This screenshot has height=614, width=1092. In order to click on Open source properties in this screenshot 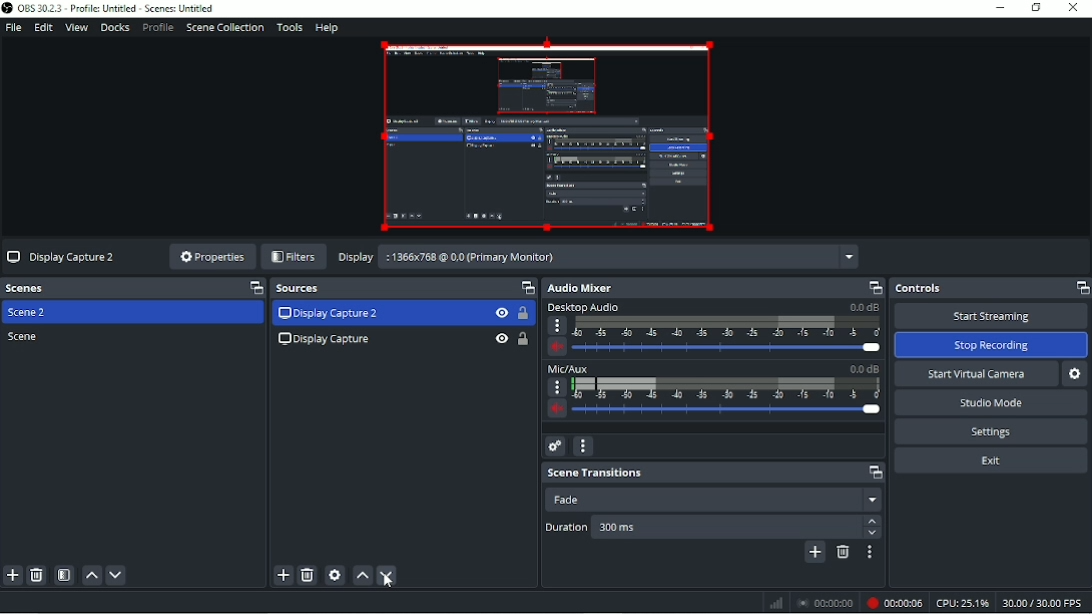, I will do `click(334, 575)`.